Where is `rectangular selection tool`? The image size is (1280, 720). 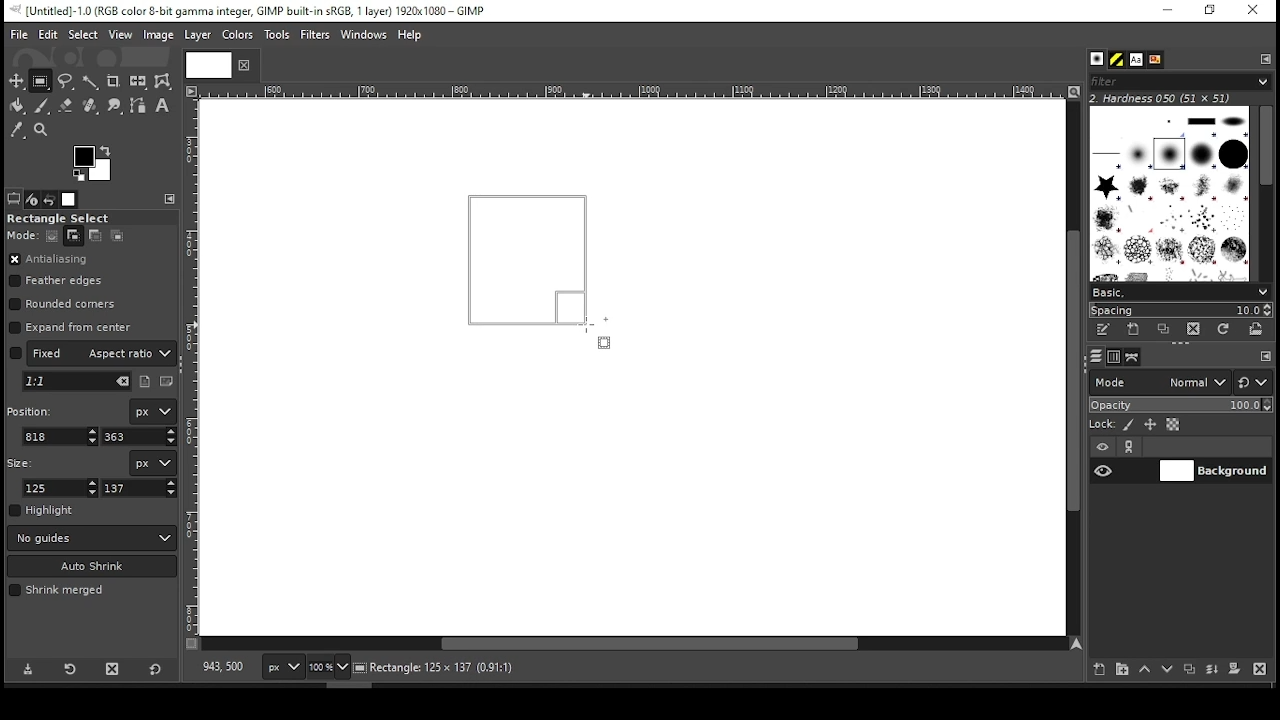 rectangular selection tool is located at coordinates (43, 81).